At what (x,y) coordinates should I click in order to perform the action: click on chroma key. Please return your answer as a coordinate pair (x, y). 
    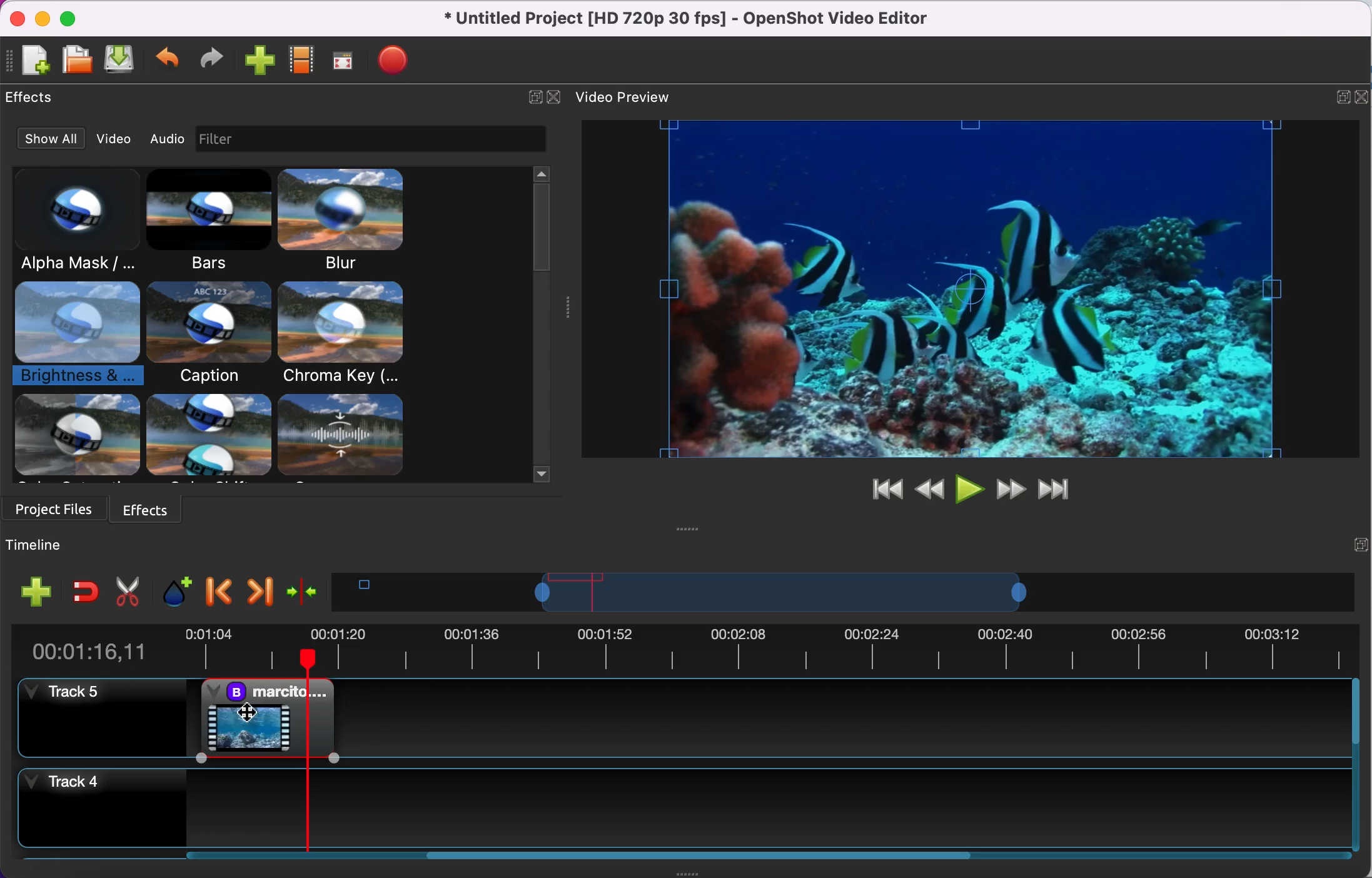
    Looking at the image, I should click on (345, 335).